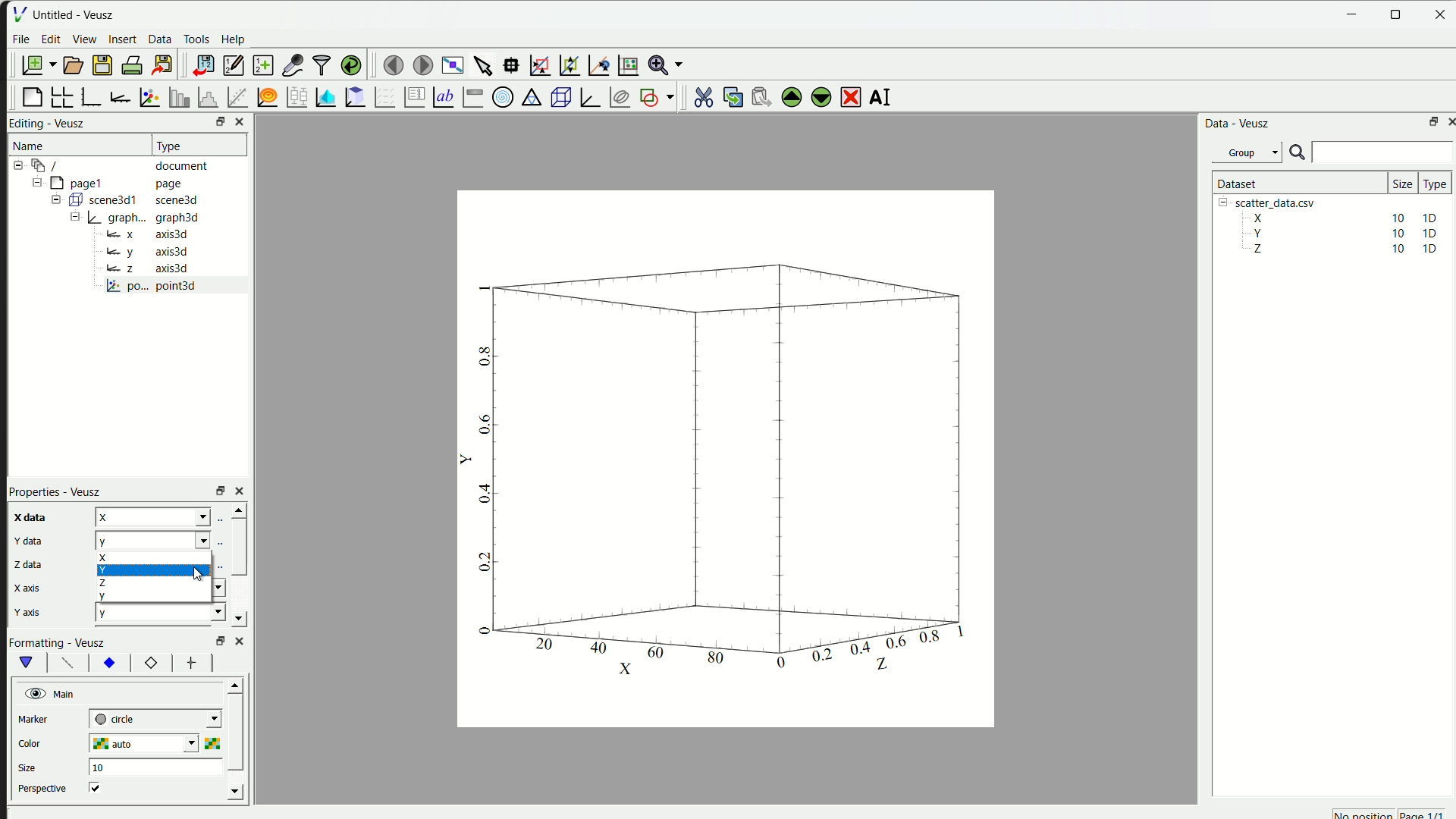 The image size is (1456, 819). I want to click on view plot full screen, so click(450, 63).